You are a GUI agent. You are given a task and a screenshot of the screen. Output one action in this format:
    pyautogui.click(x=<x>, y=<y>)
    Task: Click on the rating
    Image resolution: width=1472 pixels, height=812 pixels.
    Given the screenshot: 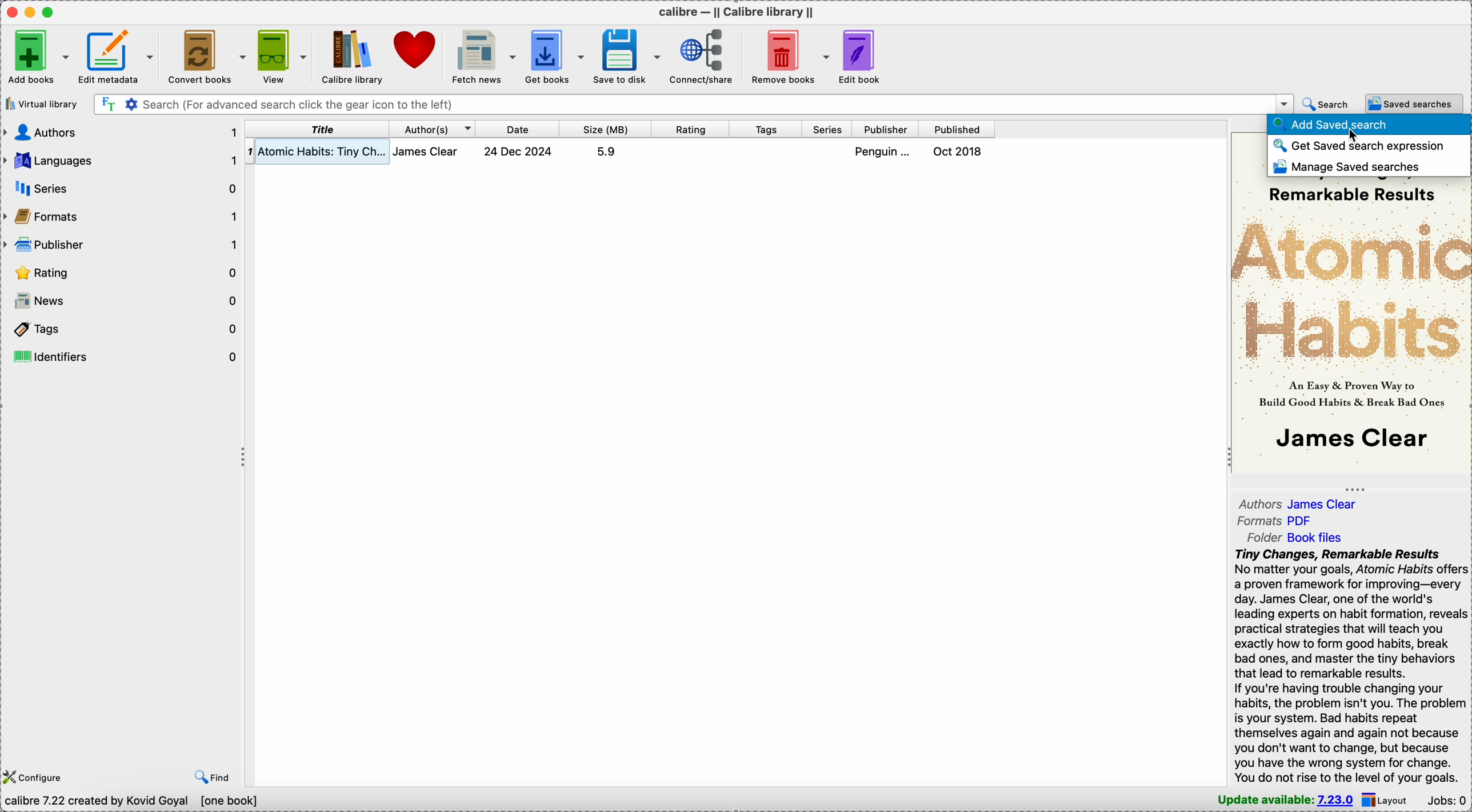 What is the action you would take?
    pyautogui.click(x=691, y=129)
    